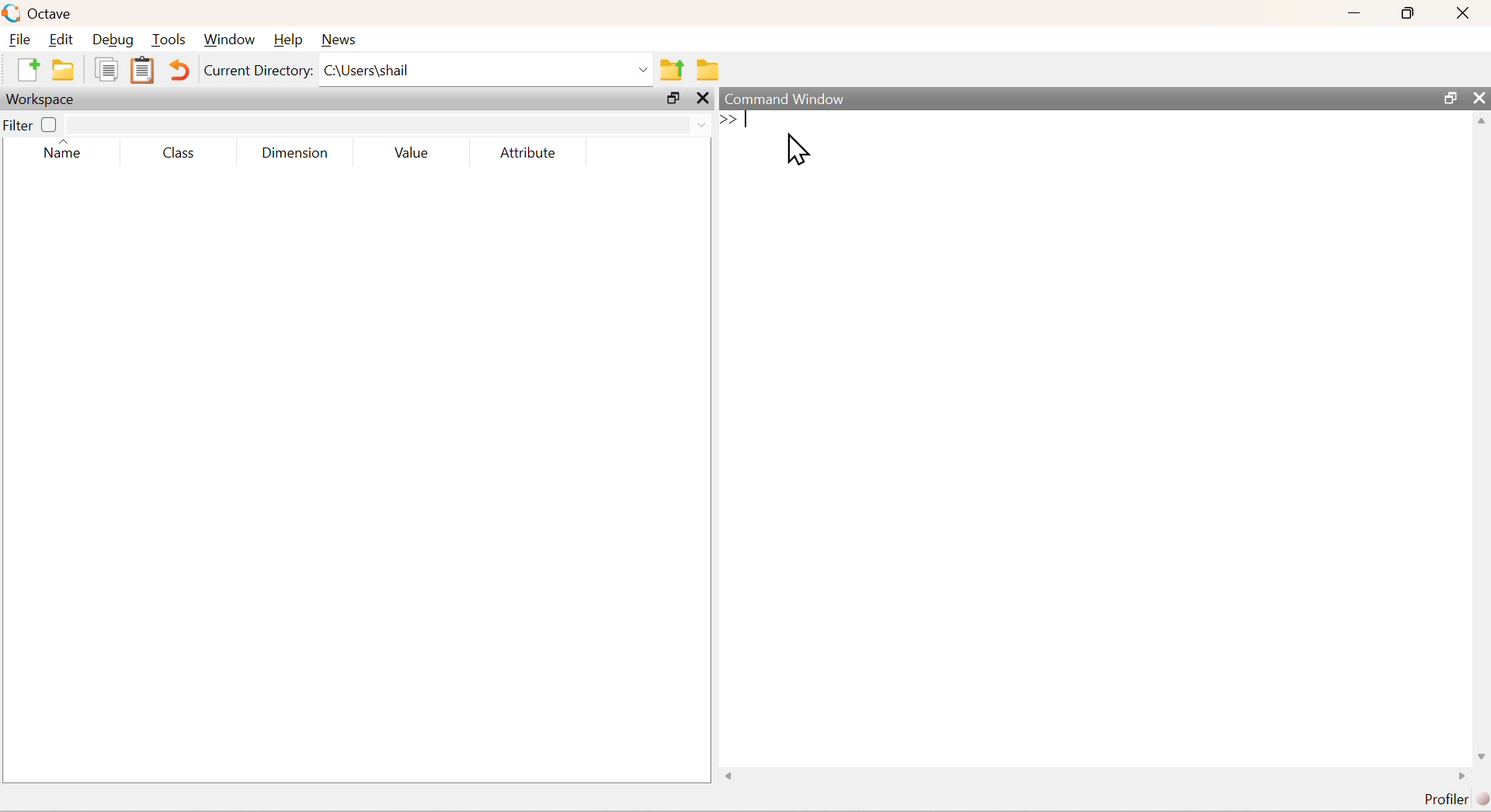 The width and height of the screenshot is (1491, 812). Describe the element at coordinates (228, 40) in the screenshot. I see `Window` at that location.